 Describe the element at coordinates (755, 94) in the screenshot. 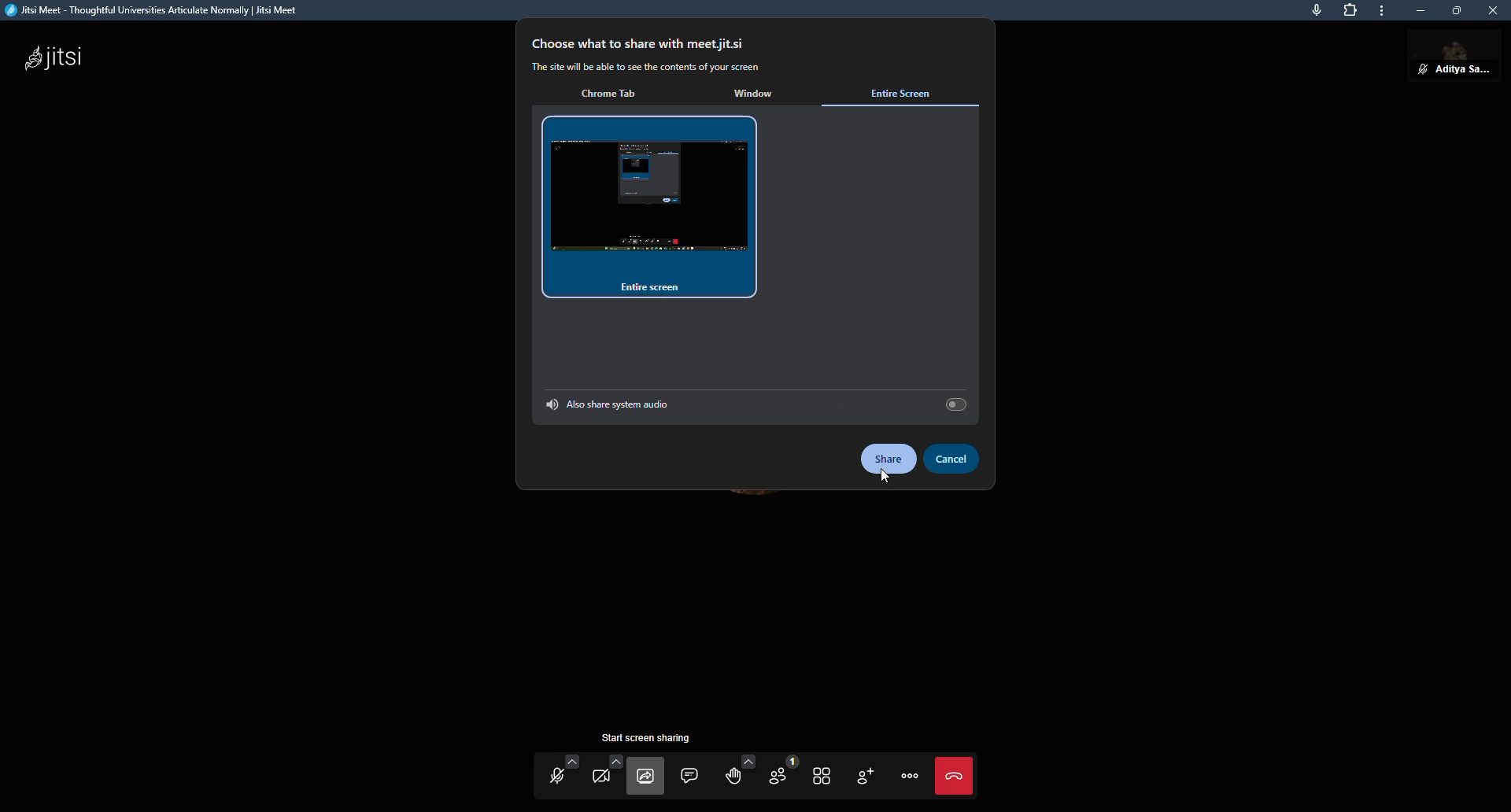

I see `window` at that location.